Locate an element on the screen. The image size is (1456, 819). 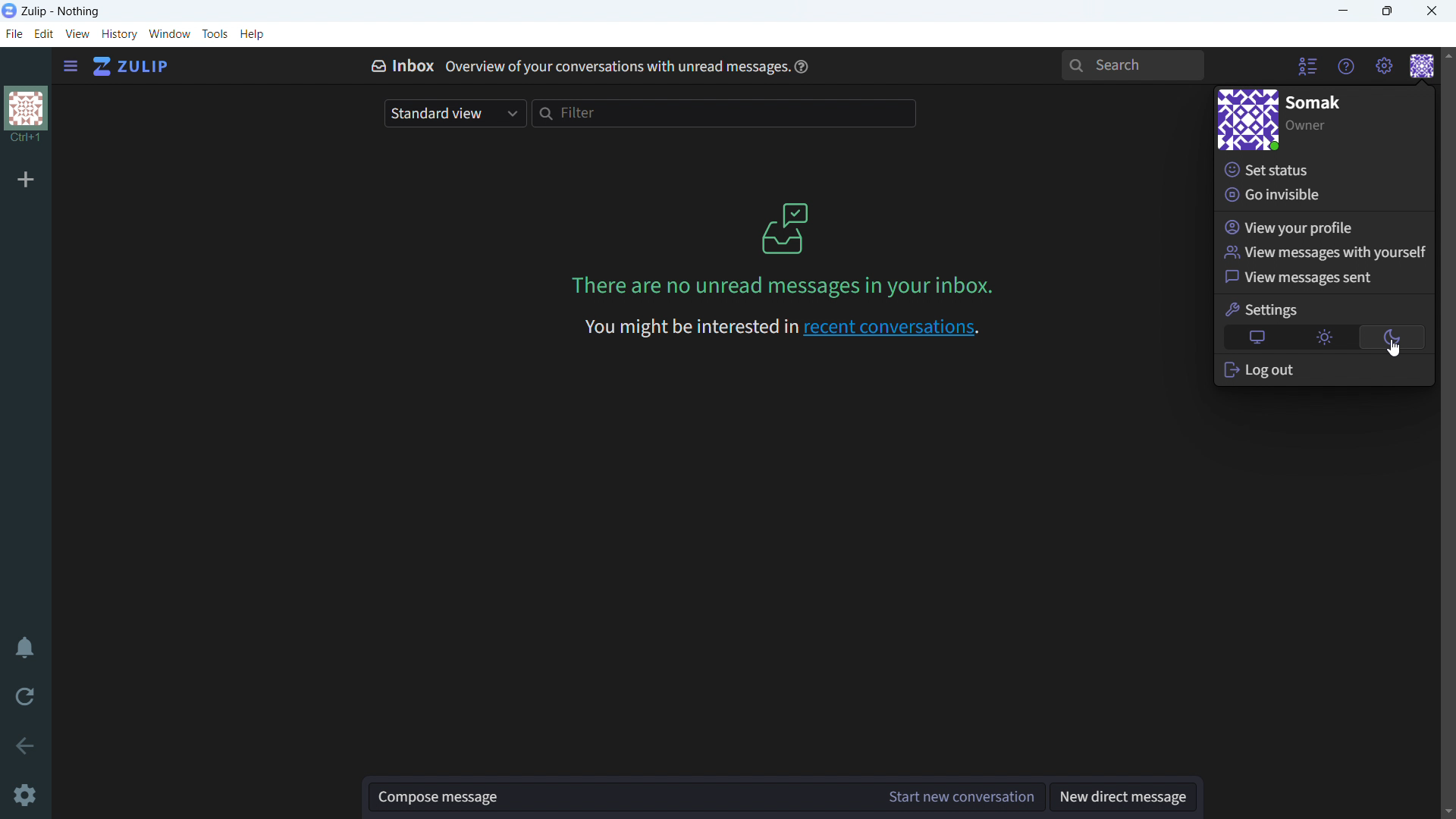
compose message is located at coordinates (617, 798).